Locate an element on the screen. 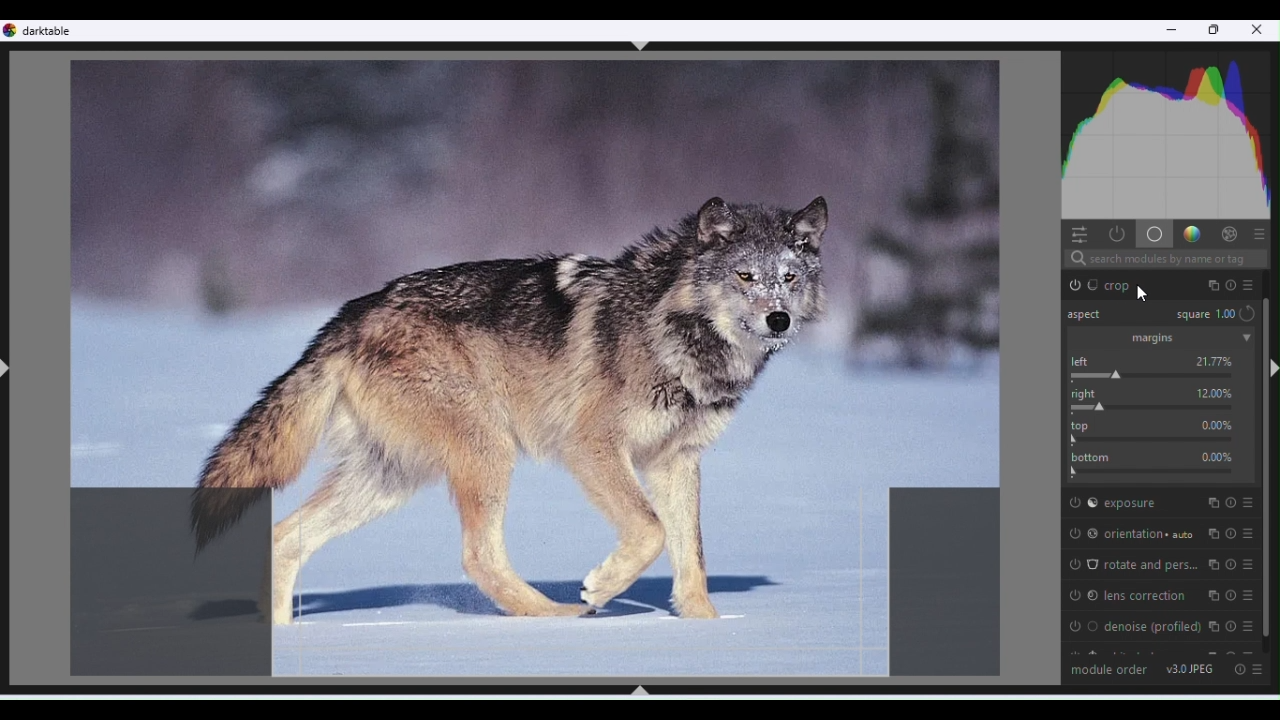 This screenshot has width=1280, height=720. Close is located at coordinates (1258, 32).